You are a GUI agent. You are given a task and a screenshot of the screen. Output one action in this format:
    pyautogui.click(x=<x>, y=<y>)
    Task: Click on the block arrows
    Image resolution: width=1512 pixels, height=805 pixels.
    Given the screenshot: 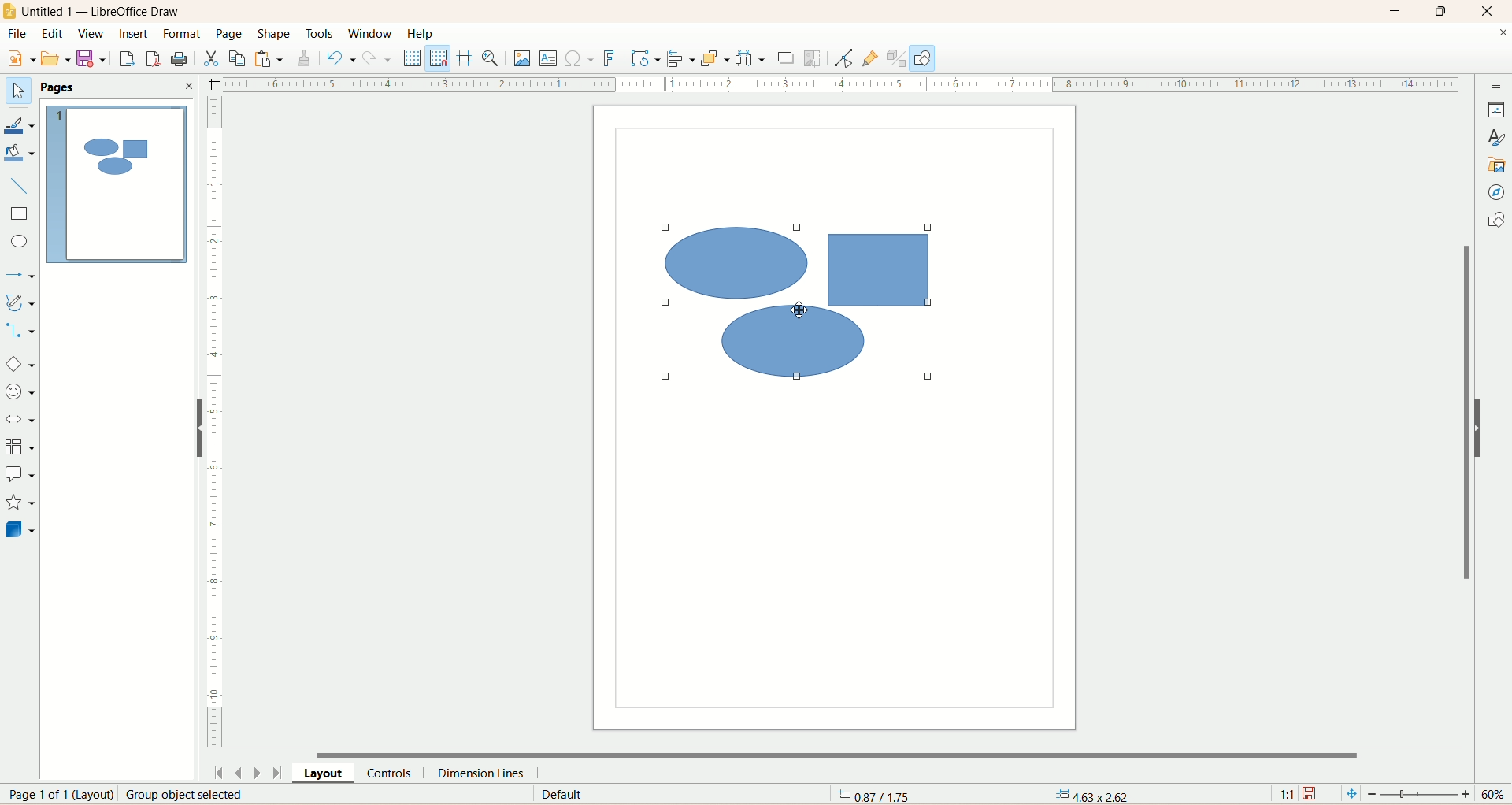 What is the action you would take?
    pyautogui.click(x=21, y=421)
    